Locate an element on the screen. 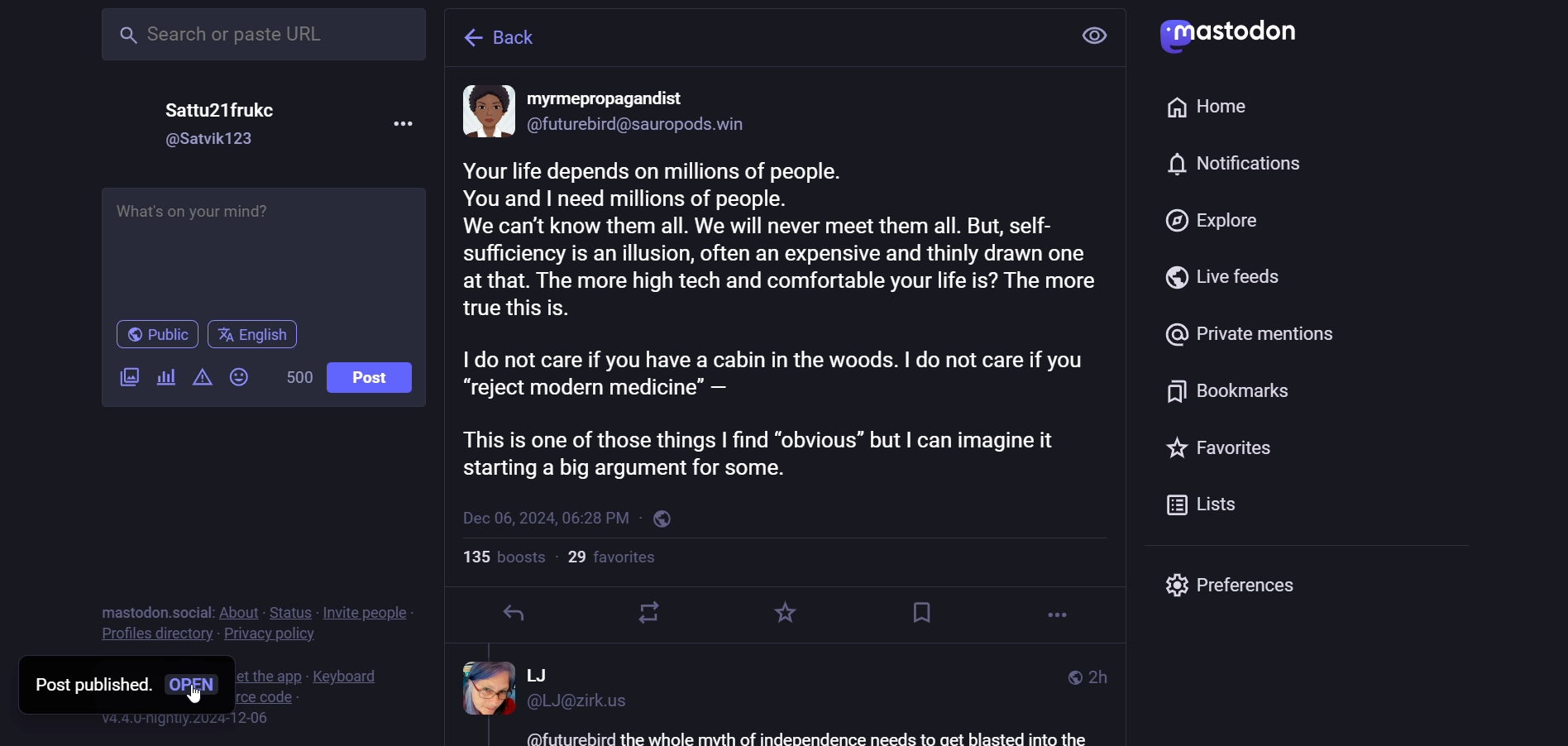  last modifiied is located at coordinates (1105, 677).